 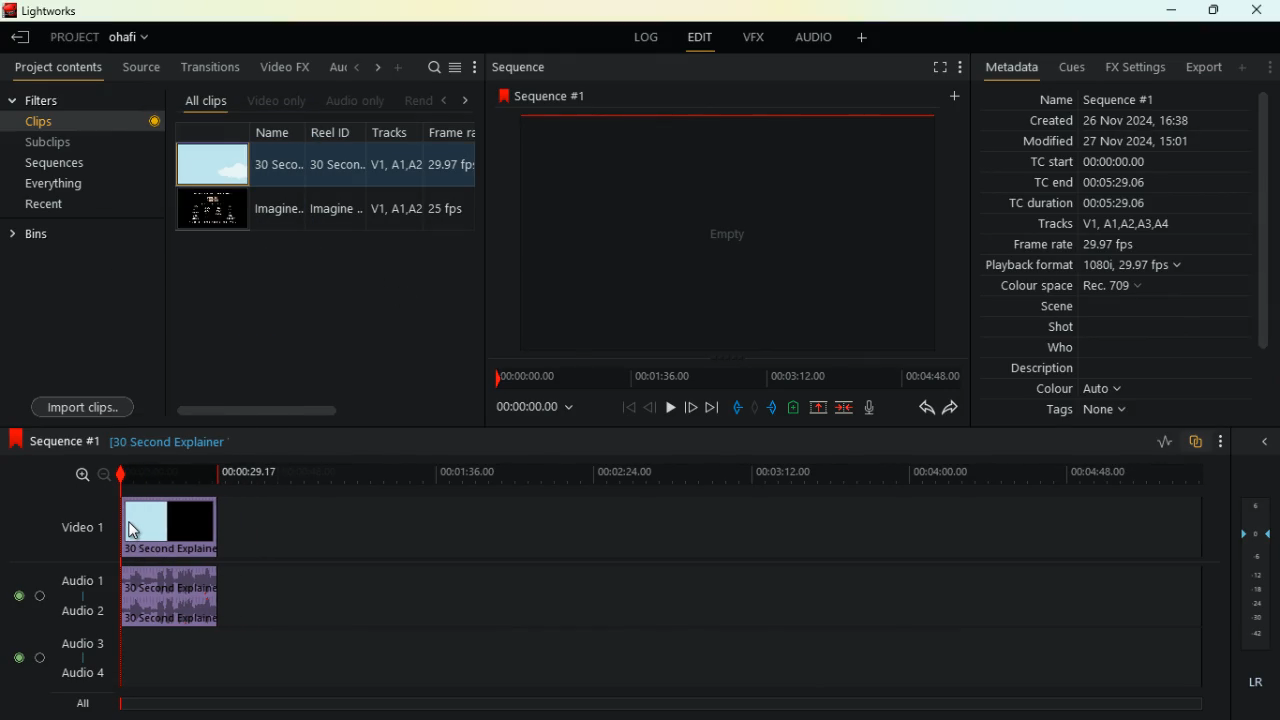 I want to click on colour space Rec 709, so click(x=1105, y=286).